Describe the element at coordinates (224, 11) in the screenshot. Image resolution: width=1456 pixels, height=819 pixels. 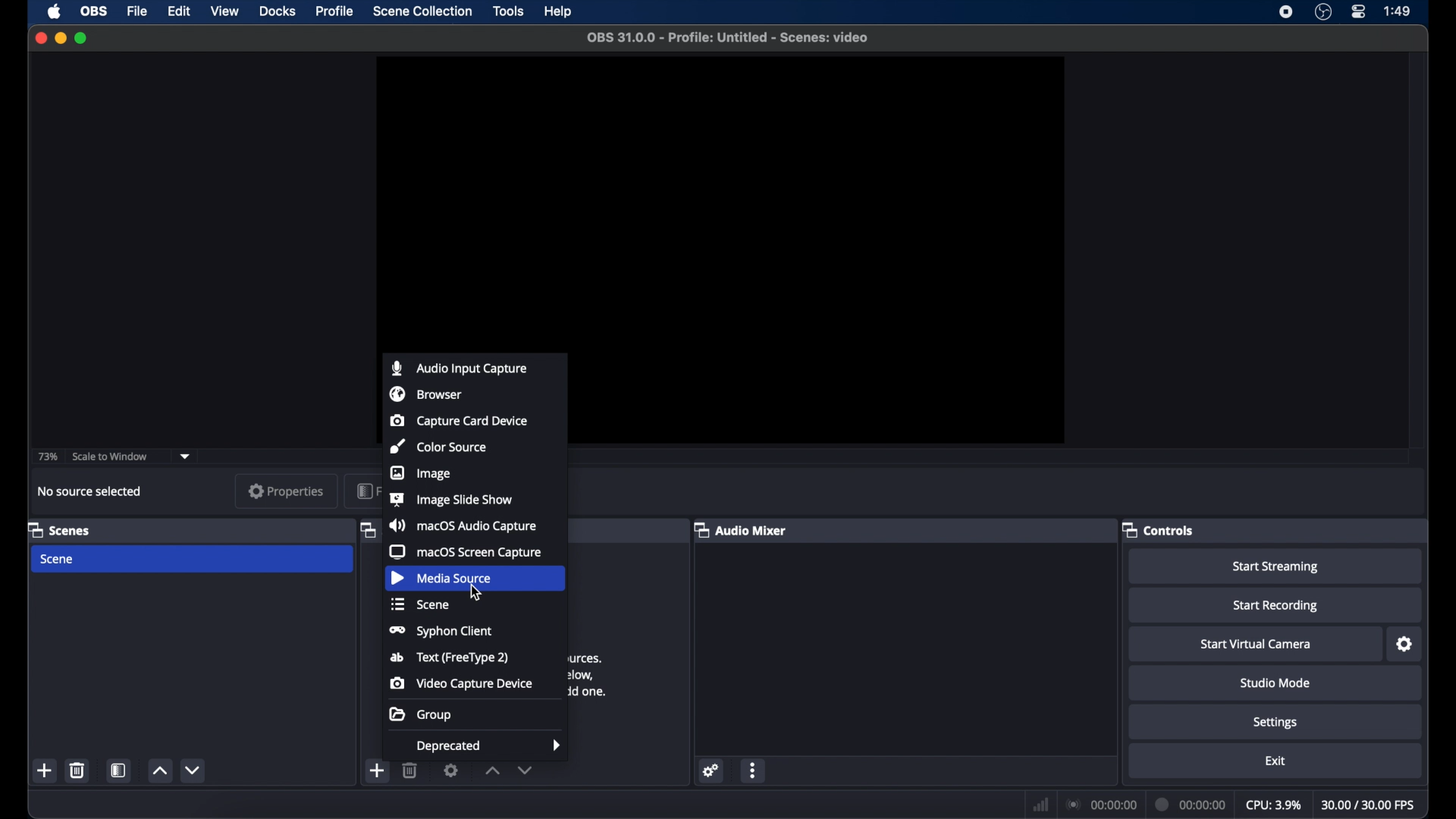
I see `view` at that location.